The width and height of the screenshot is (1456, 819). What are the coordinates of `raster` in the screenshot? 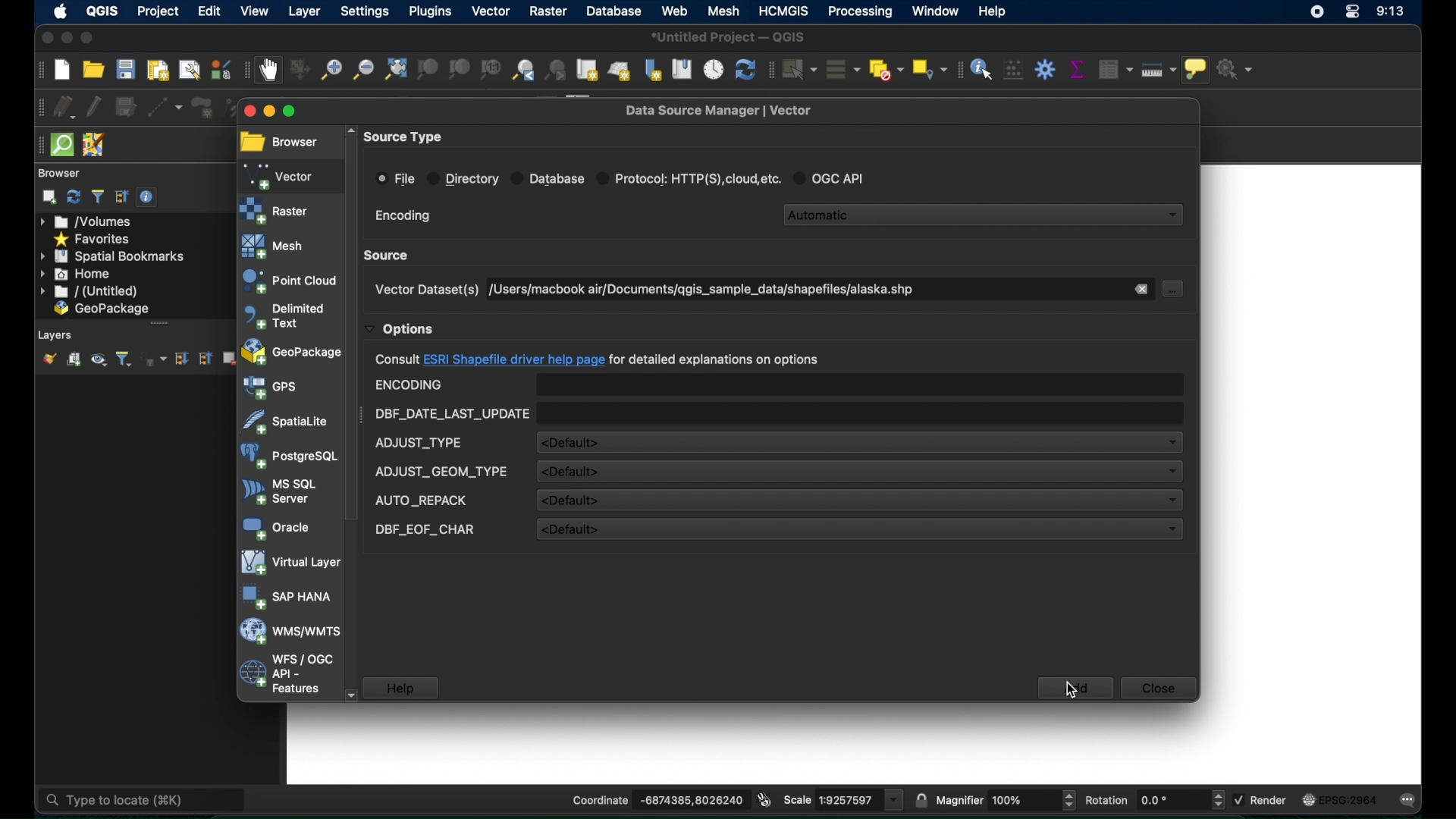 It's located at (275, 210).